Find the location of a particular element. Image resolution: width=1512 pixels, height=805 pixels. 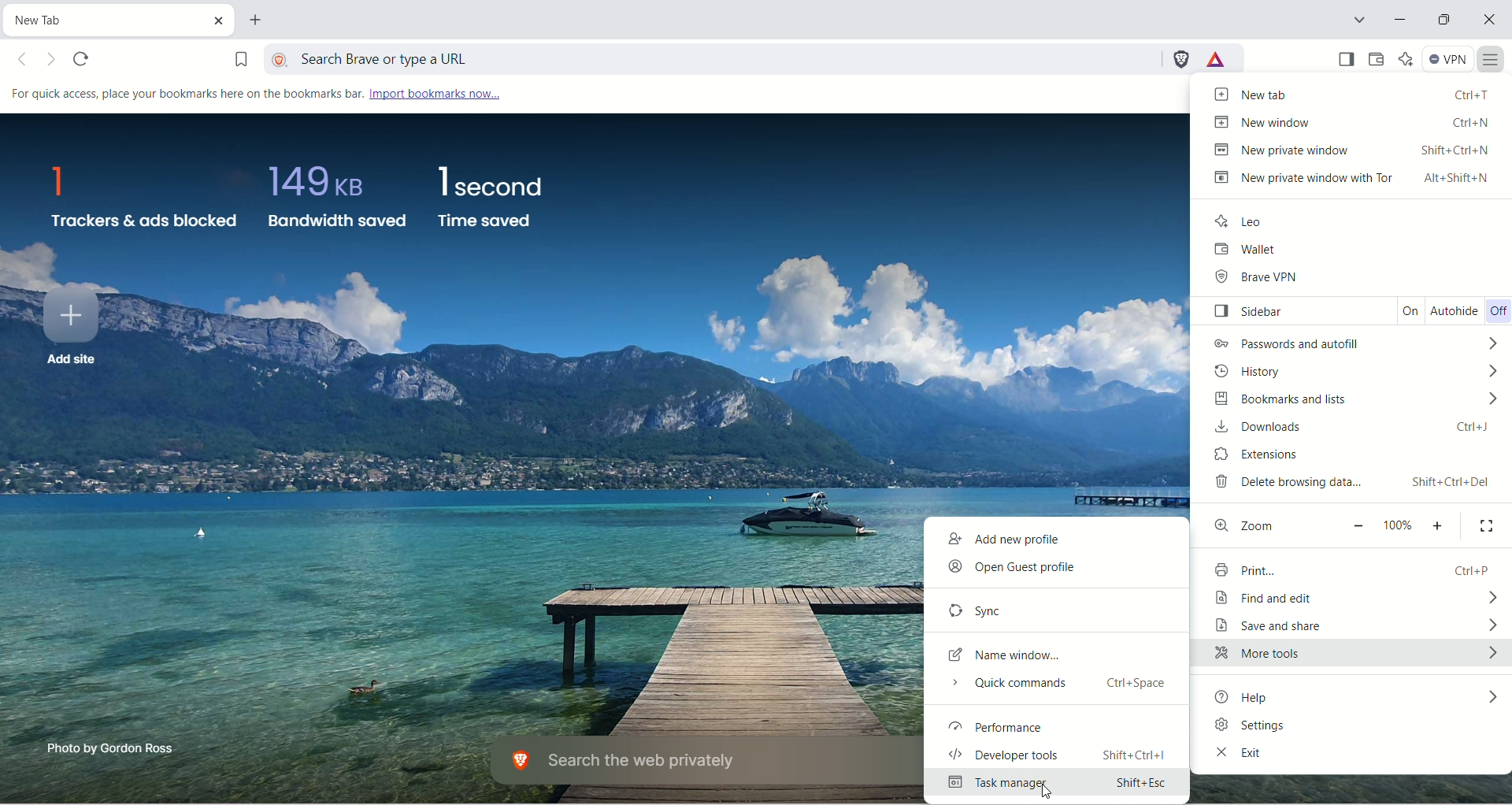

wallet is located at coordinates (1380, 60).